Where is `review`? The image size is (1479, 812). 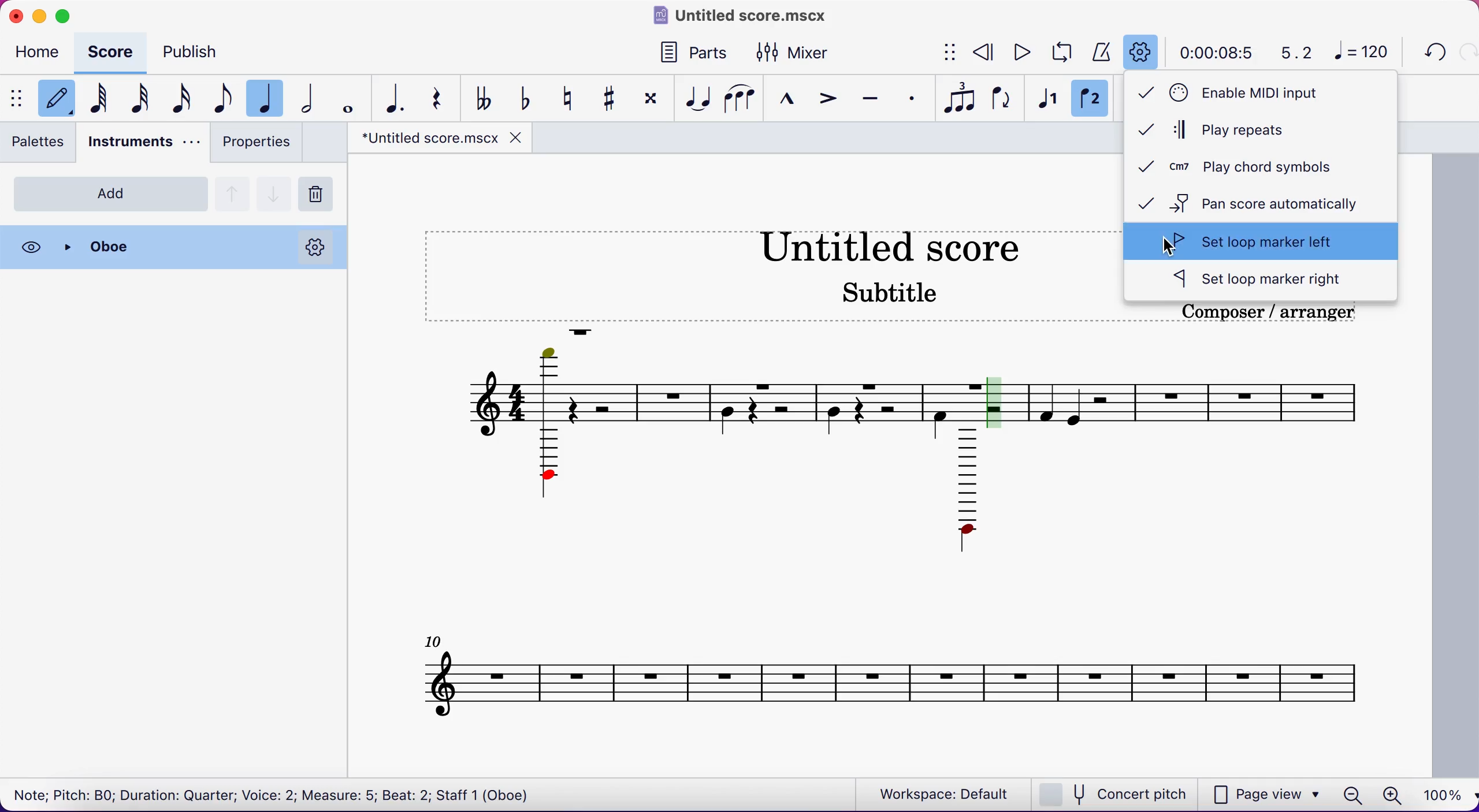
review is located at coordinates (984, 51).